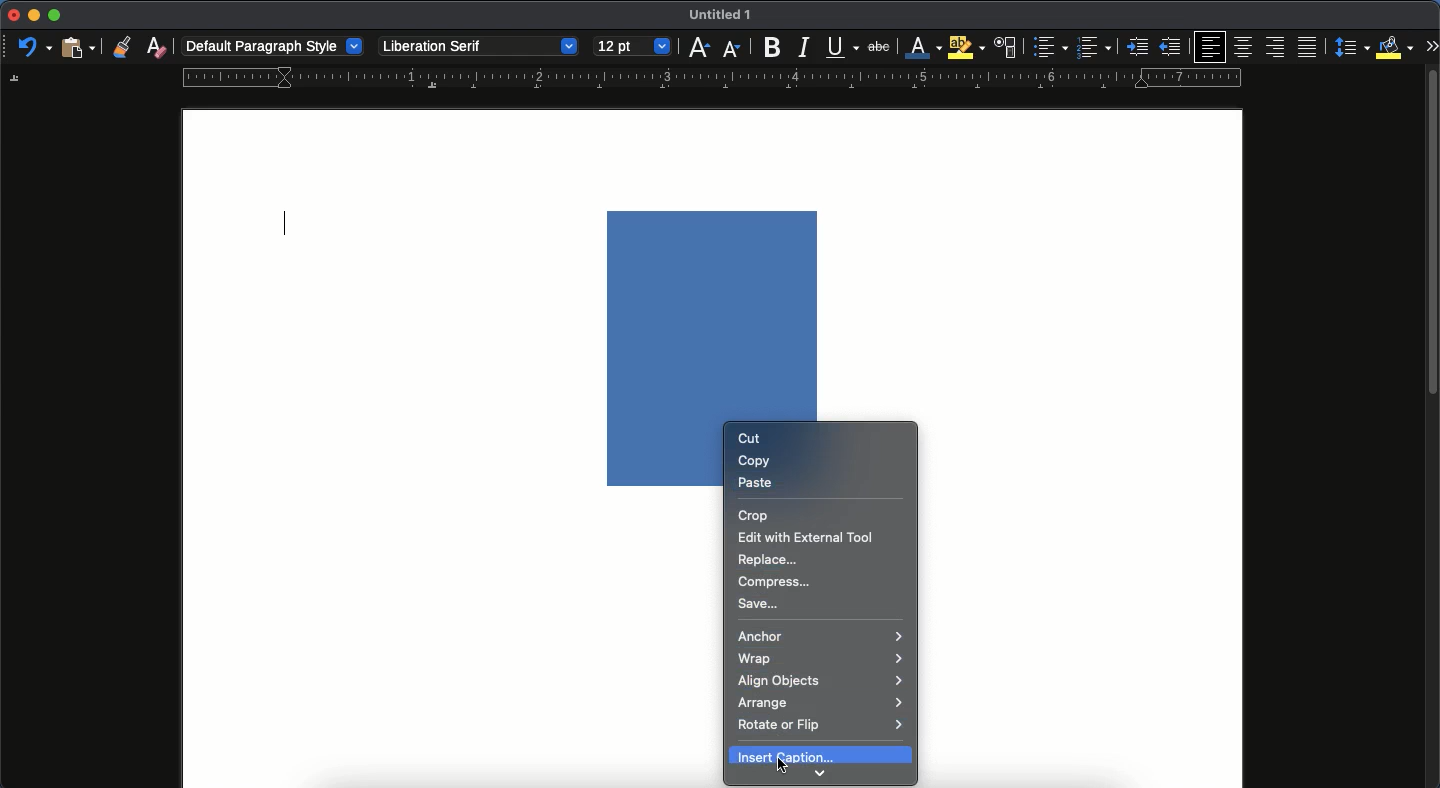  I want to click on align objects, so click(821, 680).